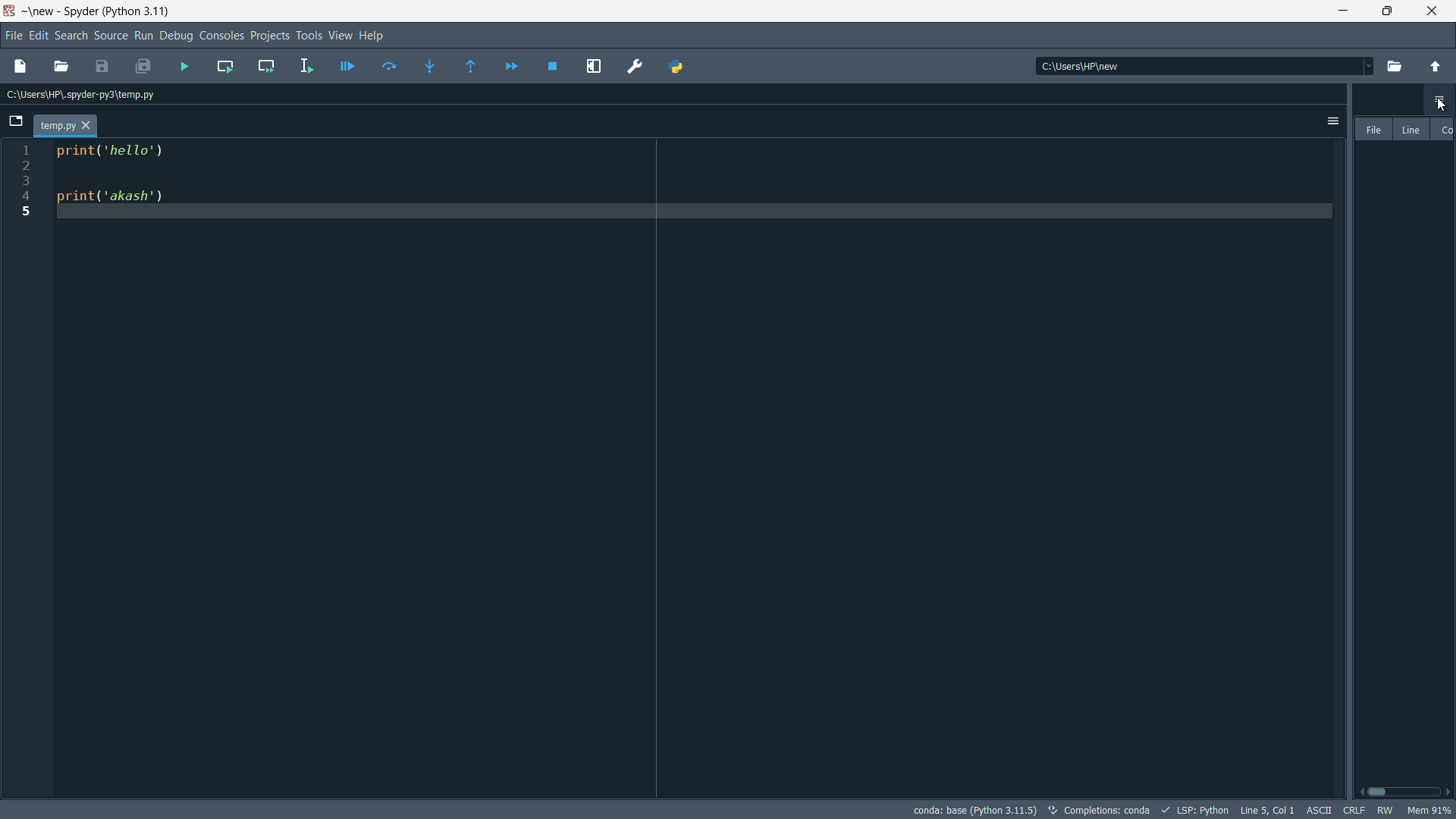 The height and width of the screenshot is (819, 1456). I want to click on View Menu, so click(340, 35).